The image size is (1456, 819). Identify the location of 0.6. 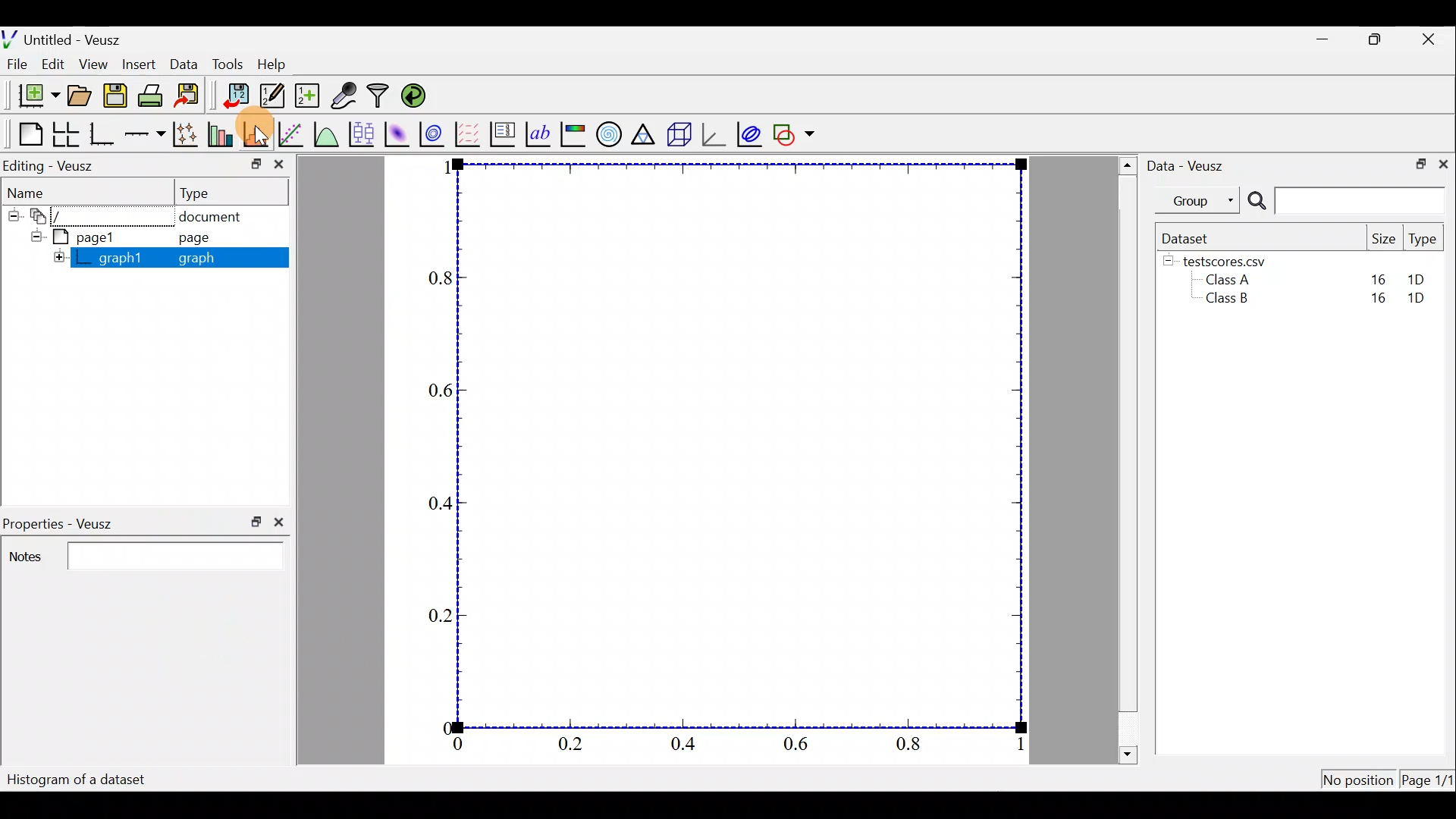
(799, 746).